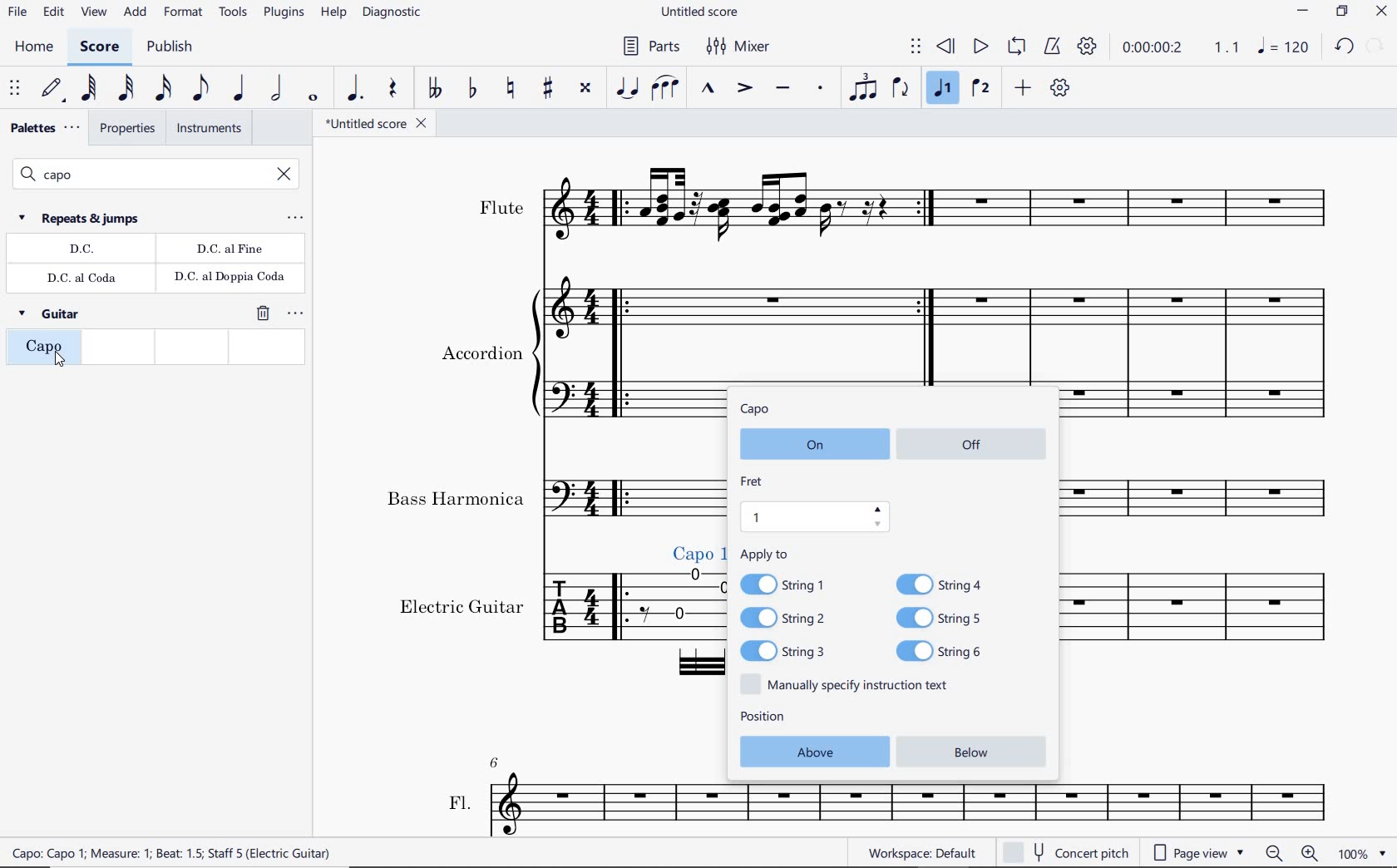  What do you see at coordinates (297, 313) in the screenshot?
I see `palette properties` at bounding box center [297, 313].